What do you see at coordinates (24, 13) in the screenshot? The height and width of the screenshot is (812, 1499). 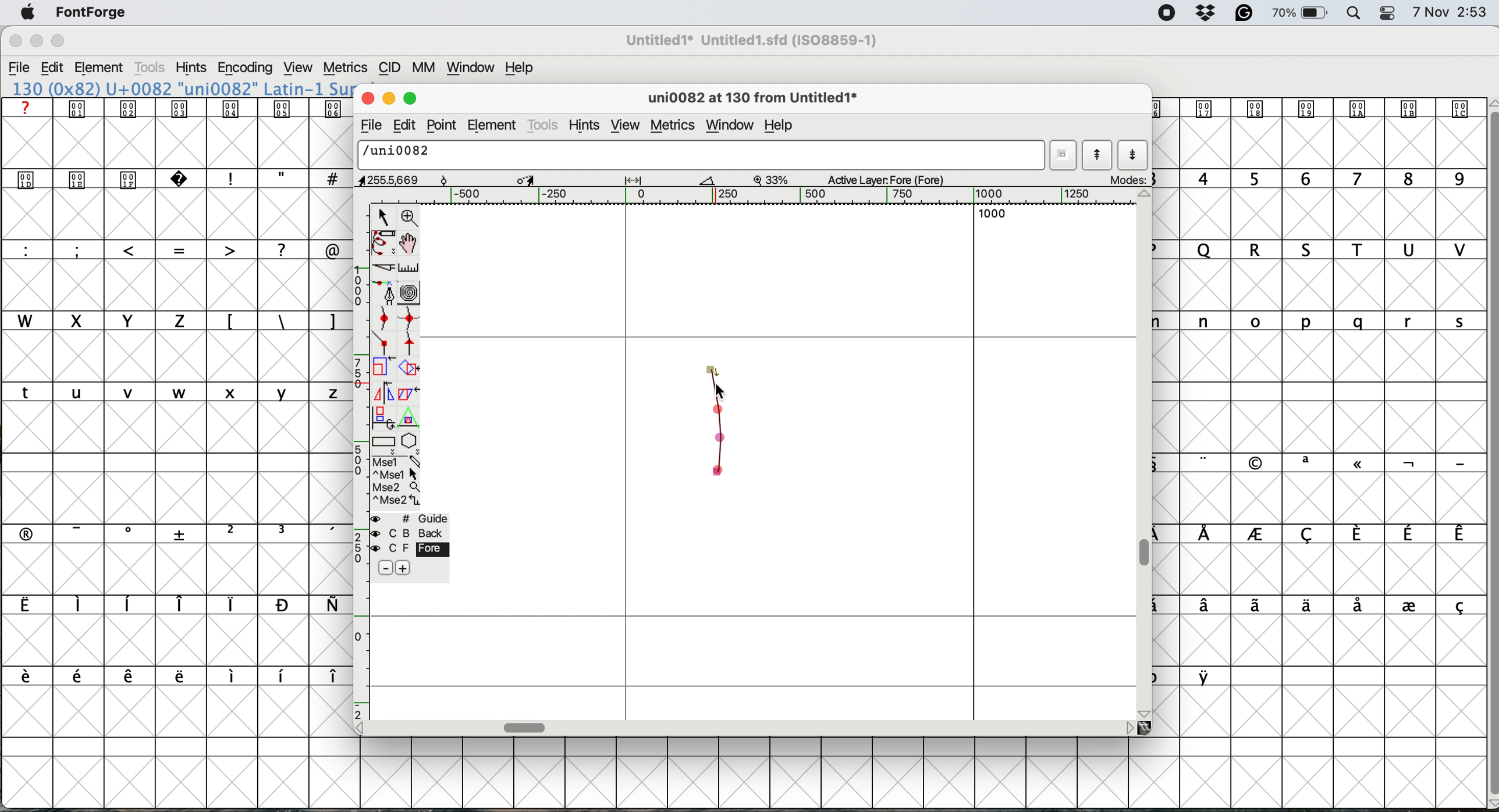 I see `system logo` at bounding box center [24, 13].